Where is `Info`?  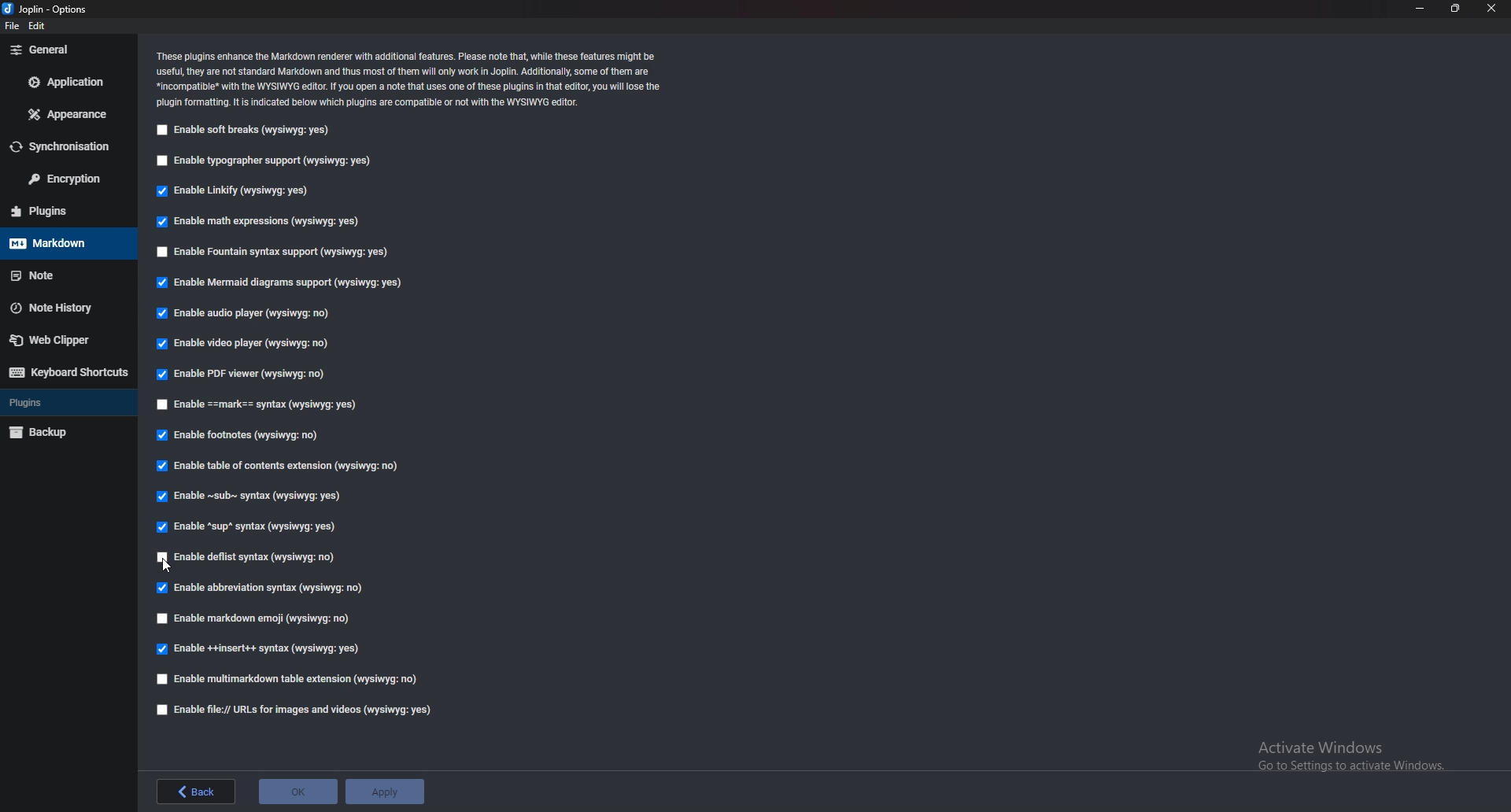 Info is located at coordinates (410, 79).